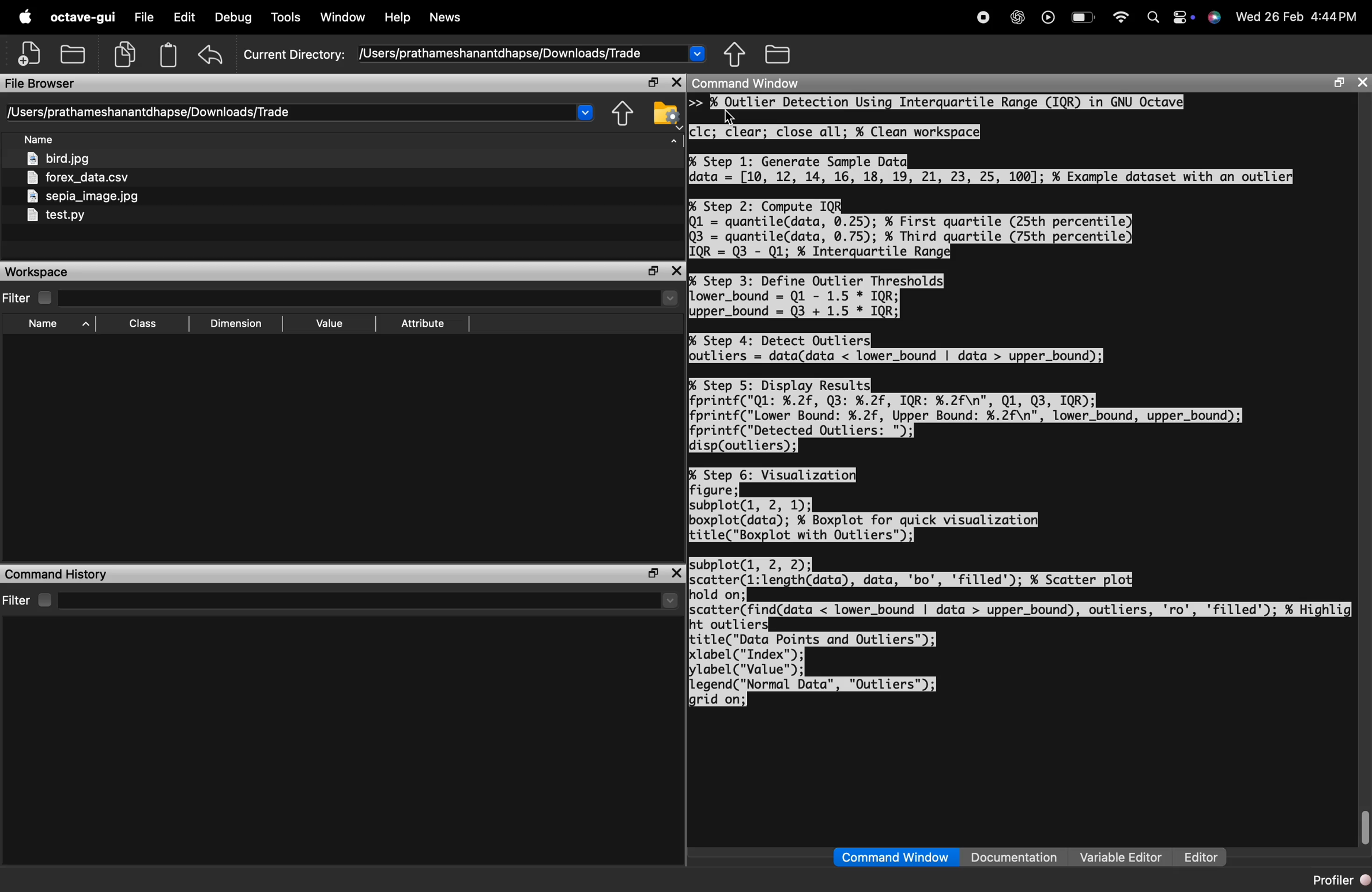  Describe the element at coordinates (895, 857) in the screenshot. I see `Command Window` at that location.